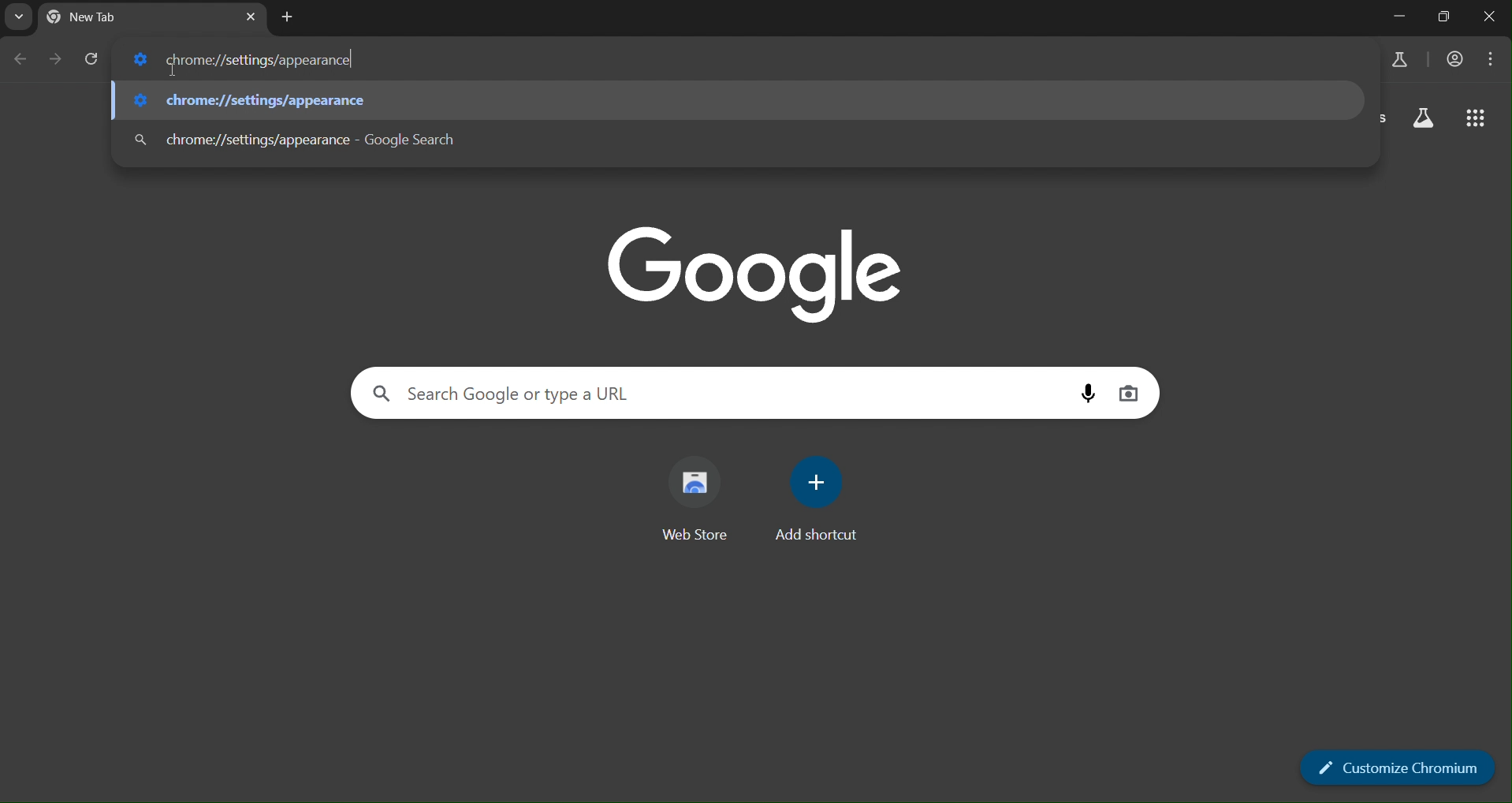  Describe the element at coordinates (1093, 393) in the screenshot. I see `voice search` at that location.